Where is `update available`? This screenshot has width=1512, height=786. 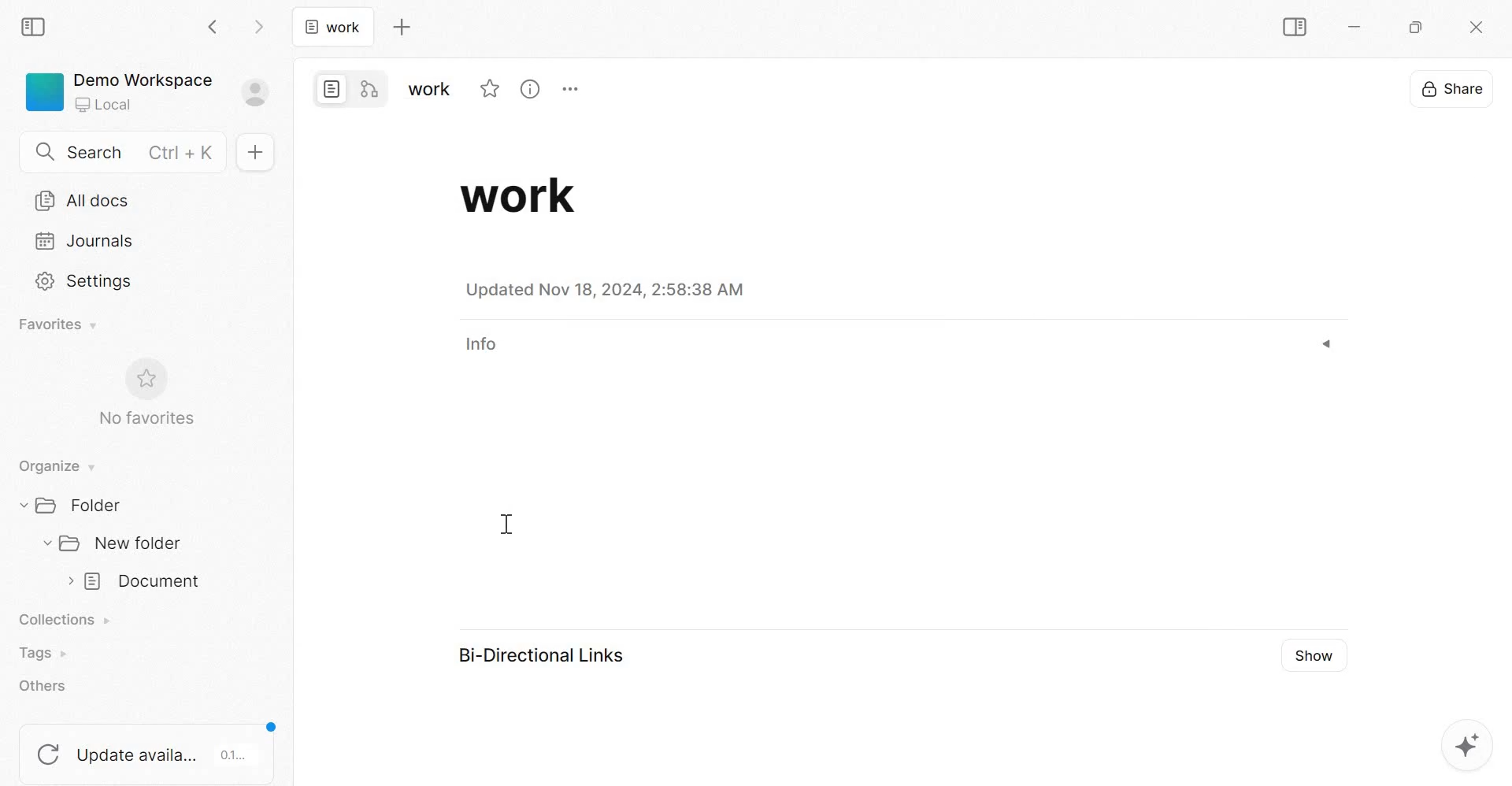 update available is located at coordinates (149, 747).